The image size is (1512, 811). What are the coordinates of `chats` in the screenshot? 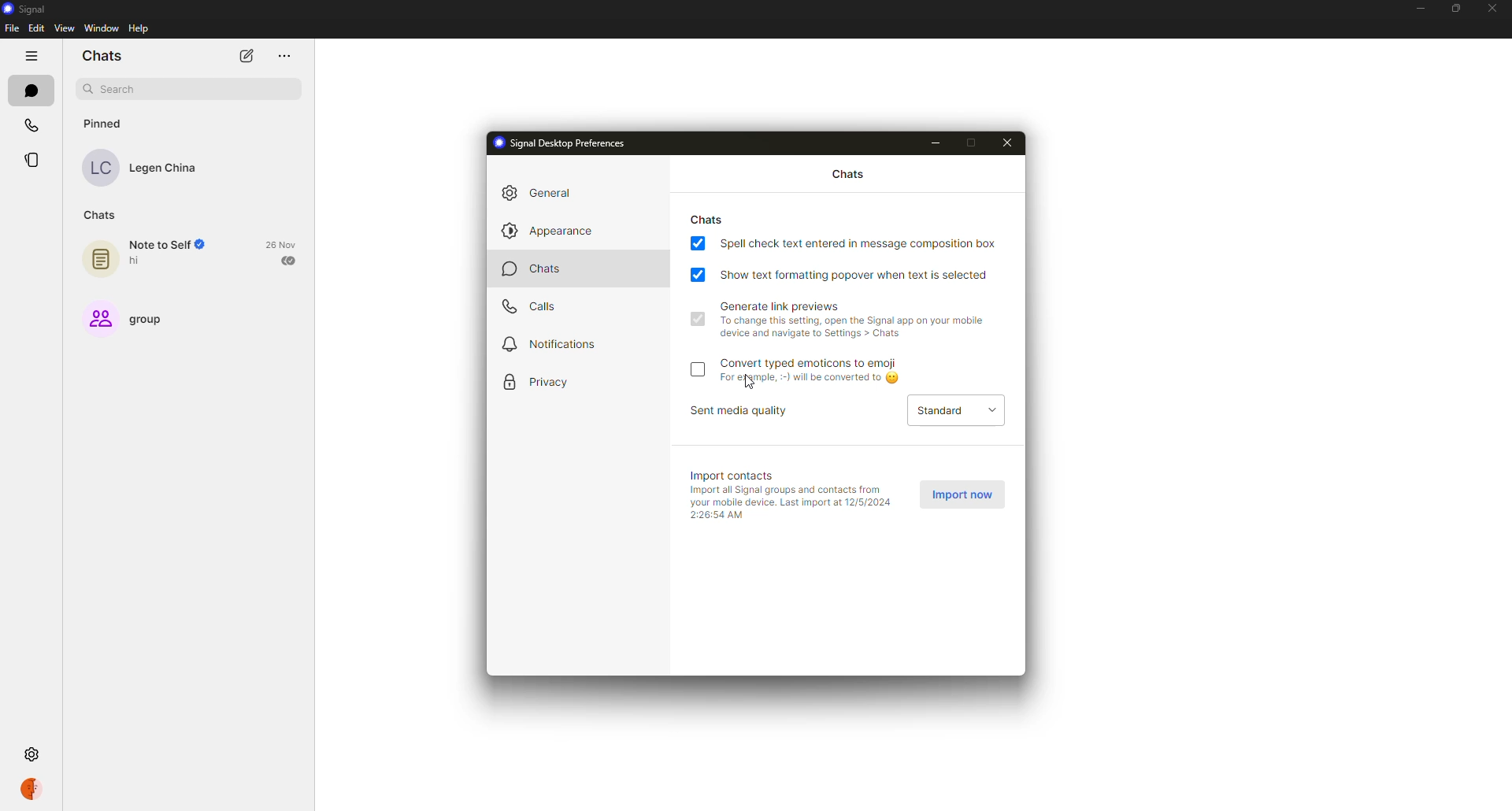 It's located at (30, 91).